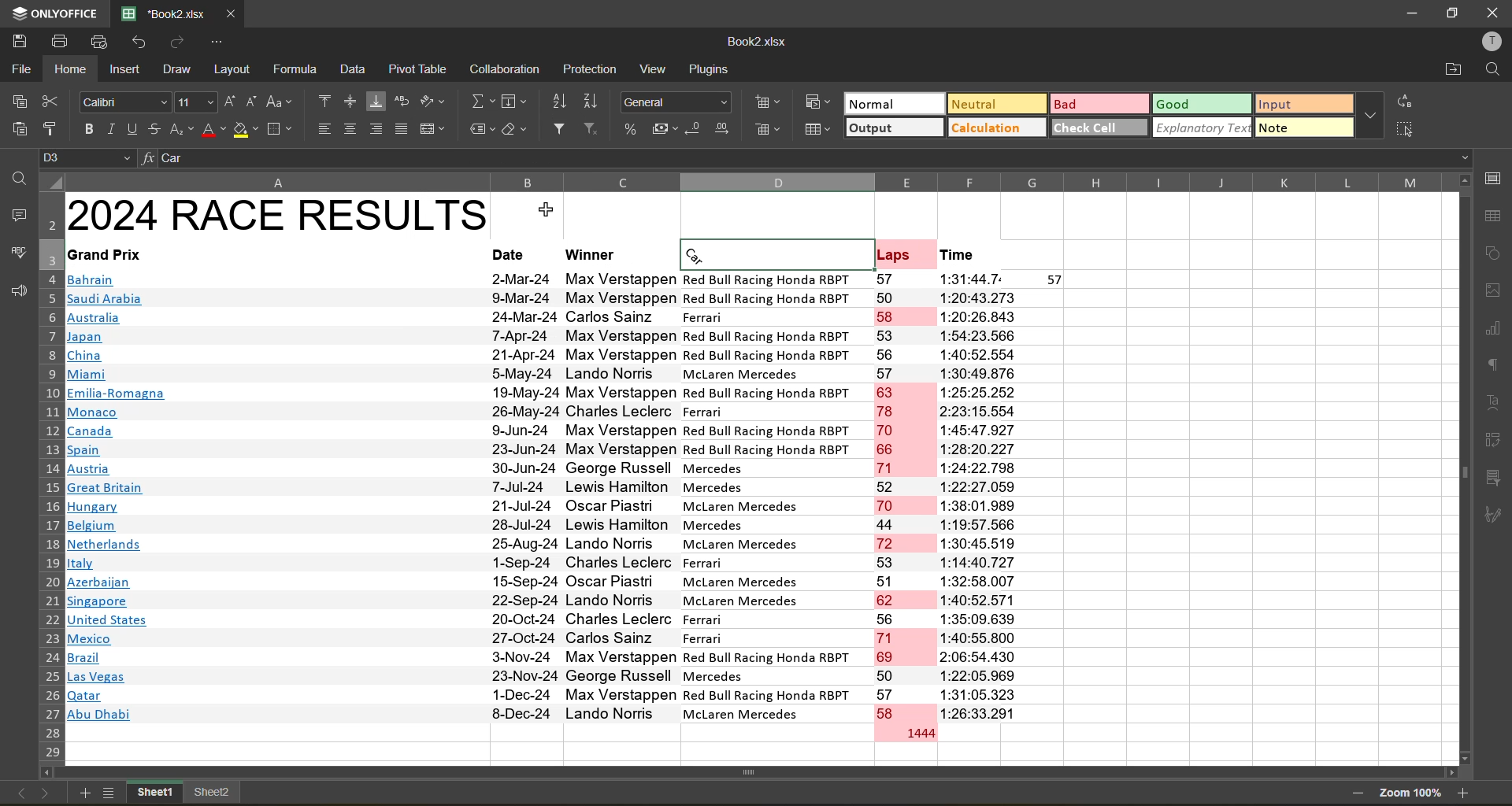 Image resolution: width=1512 pixels, height=806 pixels. I want to click on Select all, so click(50, 181).